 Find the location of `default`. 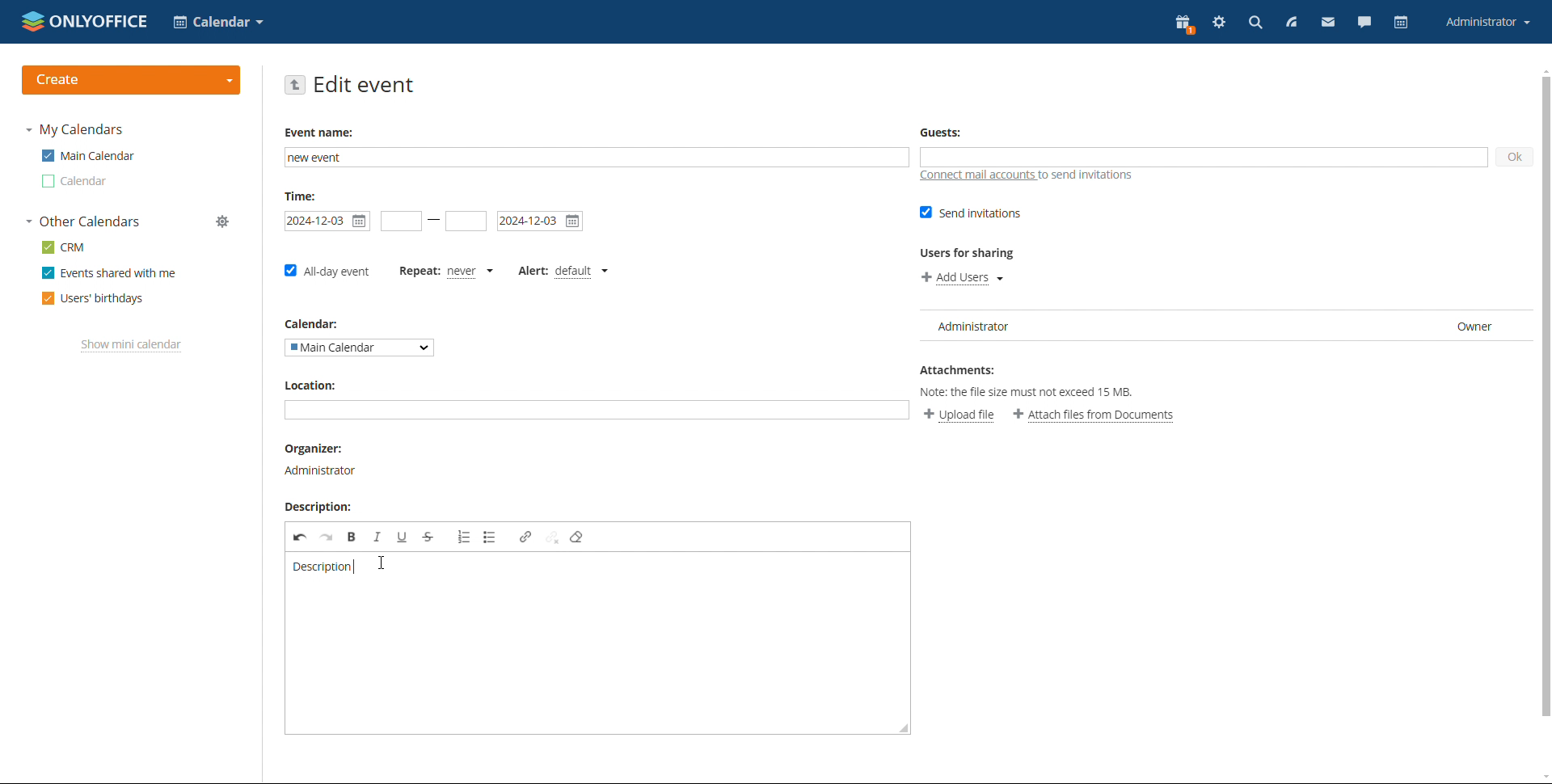

default is located at coordinates (583, 271).